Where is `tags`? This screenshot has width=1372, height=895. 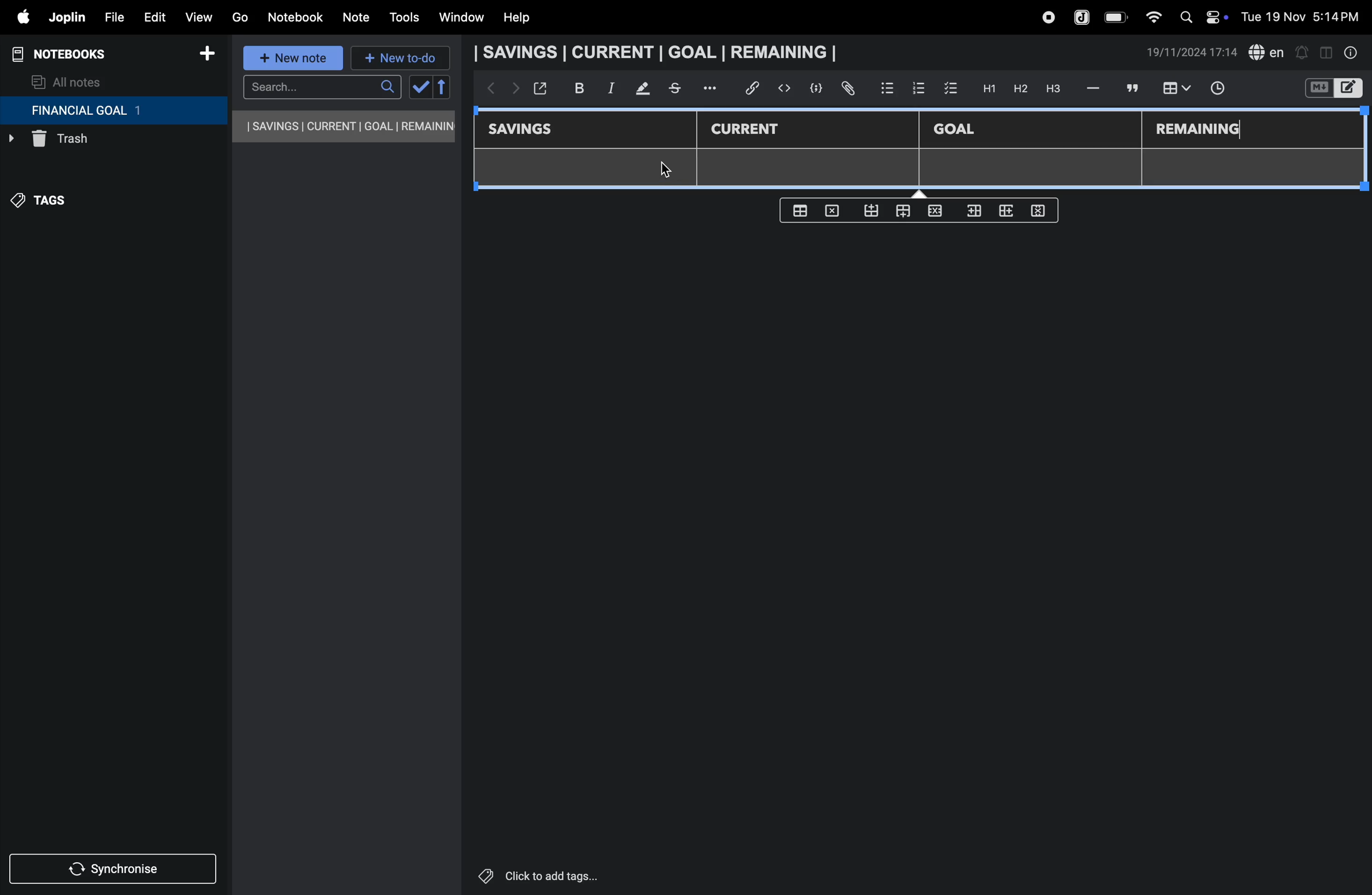 tags is located at coordinates (47, 206).